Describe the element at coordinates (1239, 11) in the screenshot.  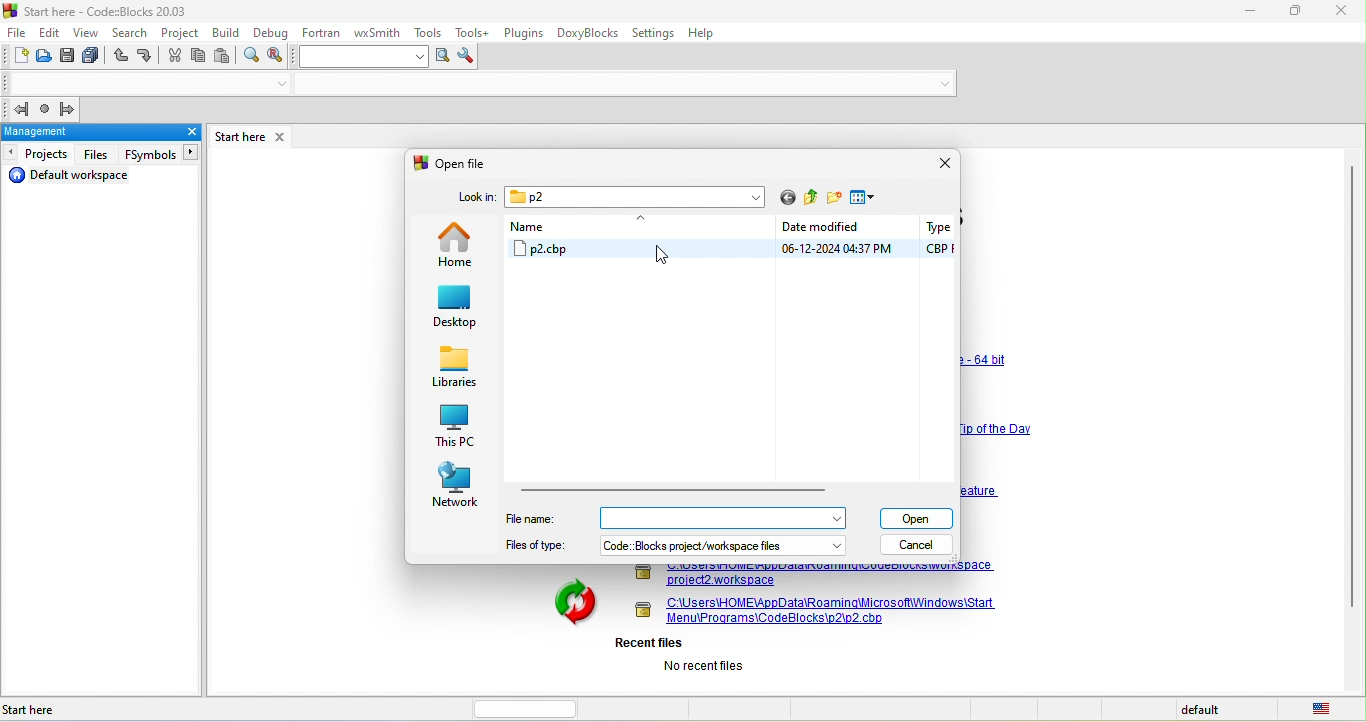
I see `minimize` at that location.